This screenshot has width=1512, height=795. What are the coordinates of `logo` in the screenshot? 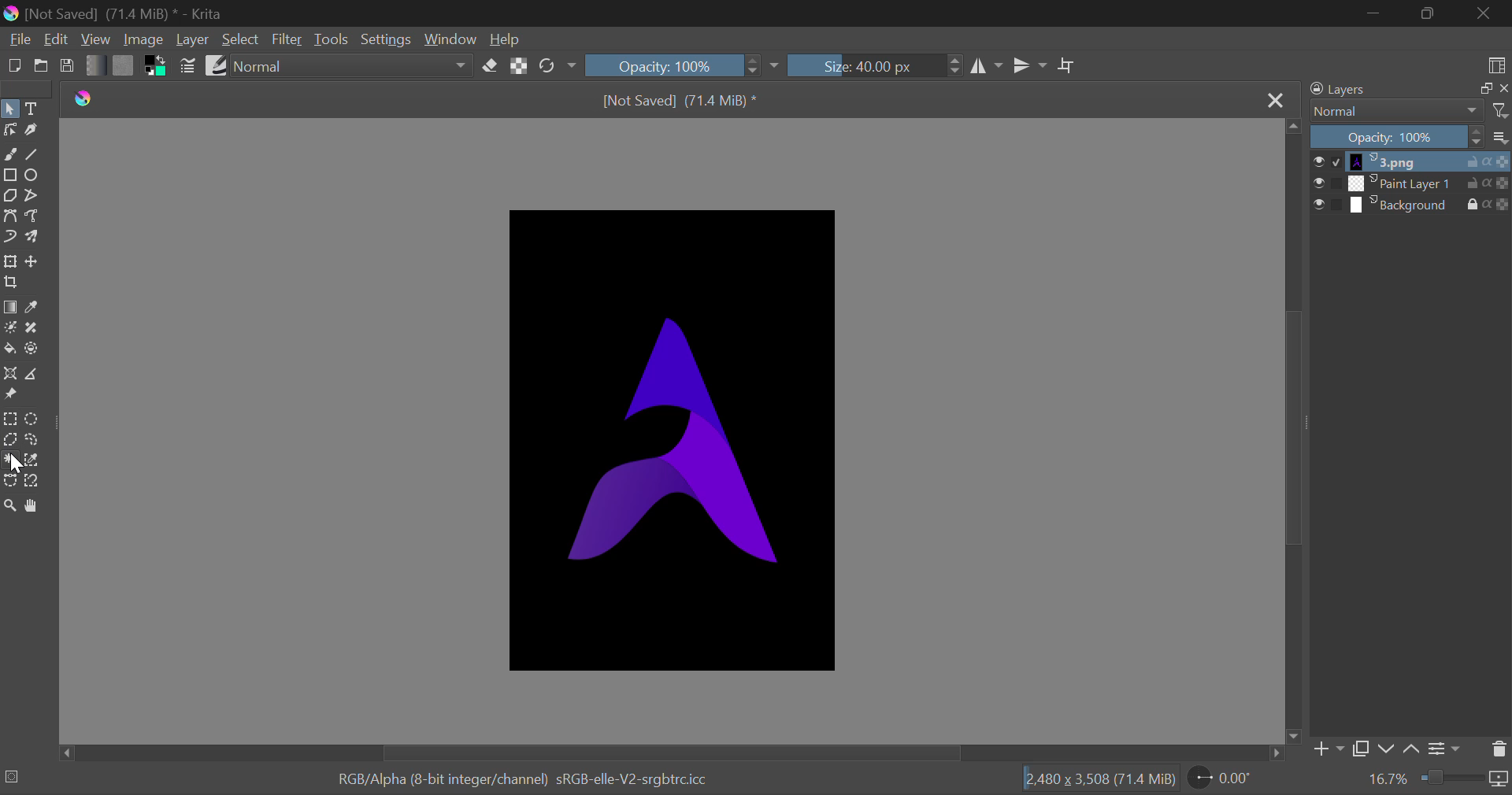 It's located at (87, 99).